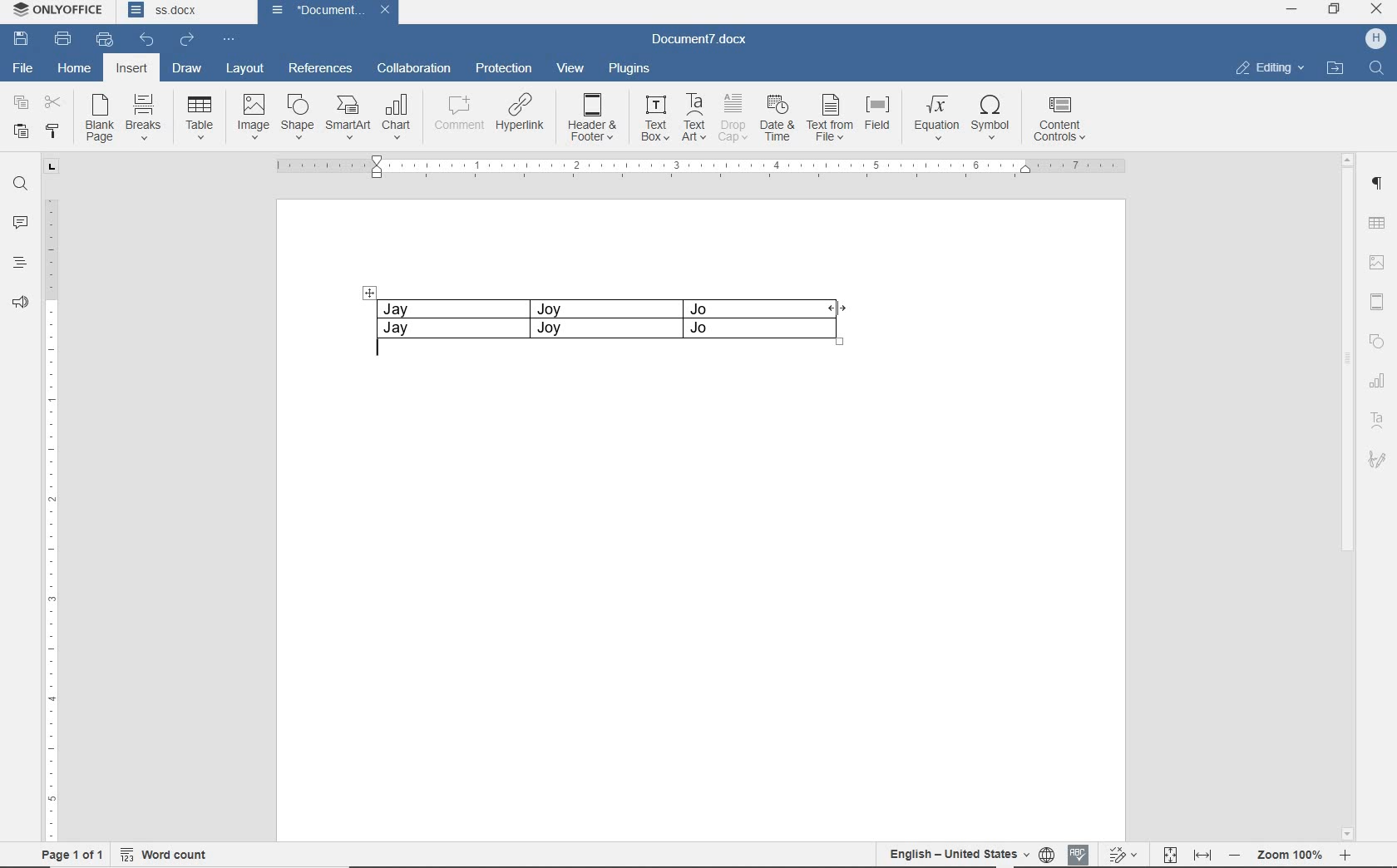 The height and width of the screenshot is (868, 1397). Describe the element at coordinates (1292, 855) in the screenshot. I see `ZOOM OUT OR ZOOM IN` at that location.